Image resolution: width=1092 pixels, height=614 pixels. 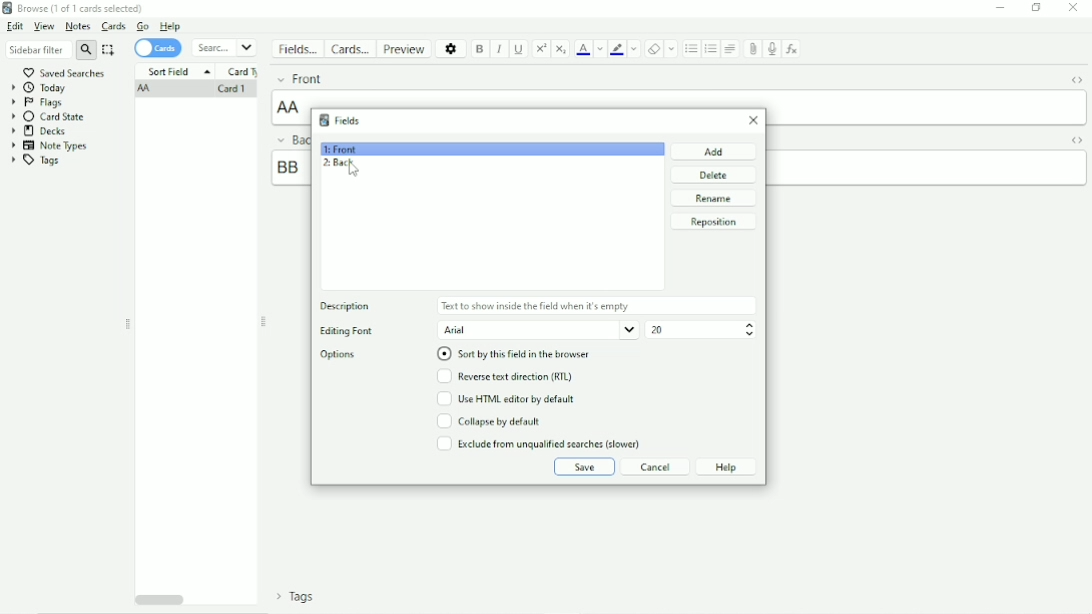 I want to click on Help, so click(x=170, y=26).